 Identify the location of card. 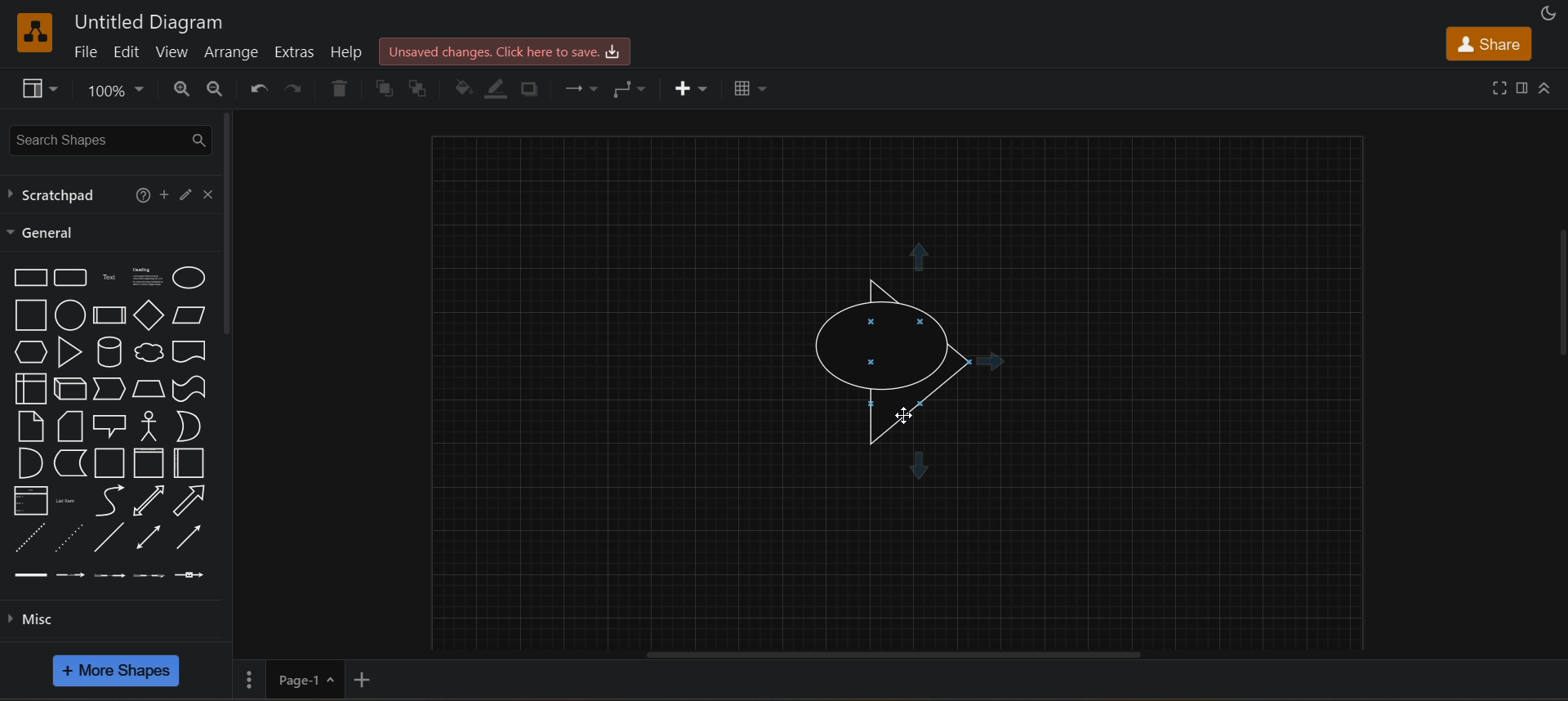
(72, 426).